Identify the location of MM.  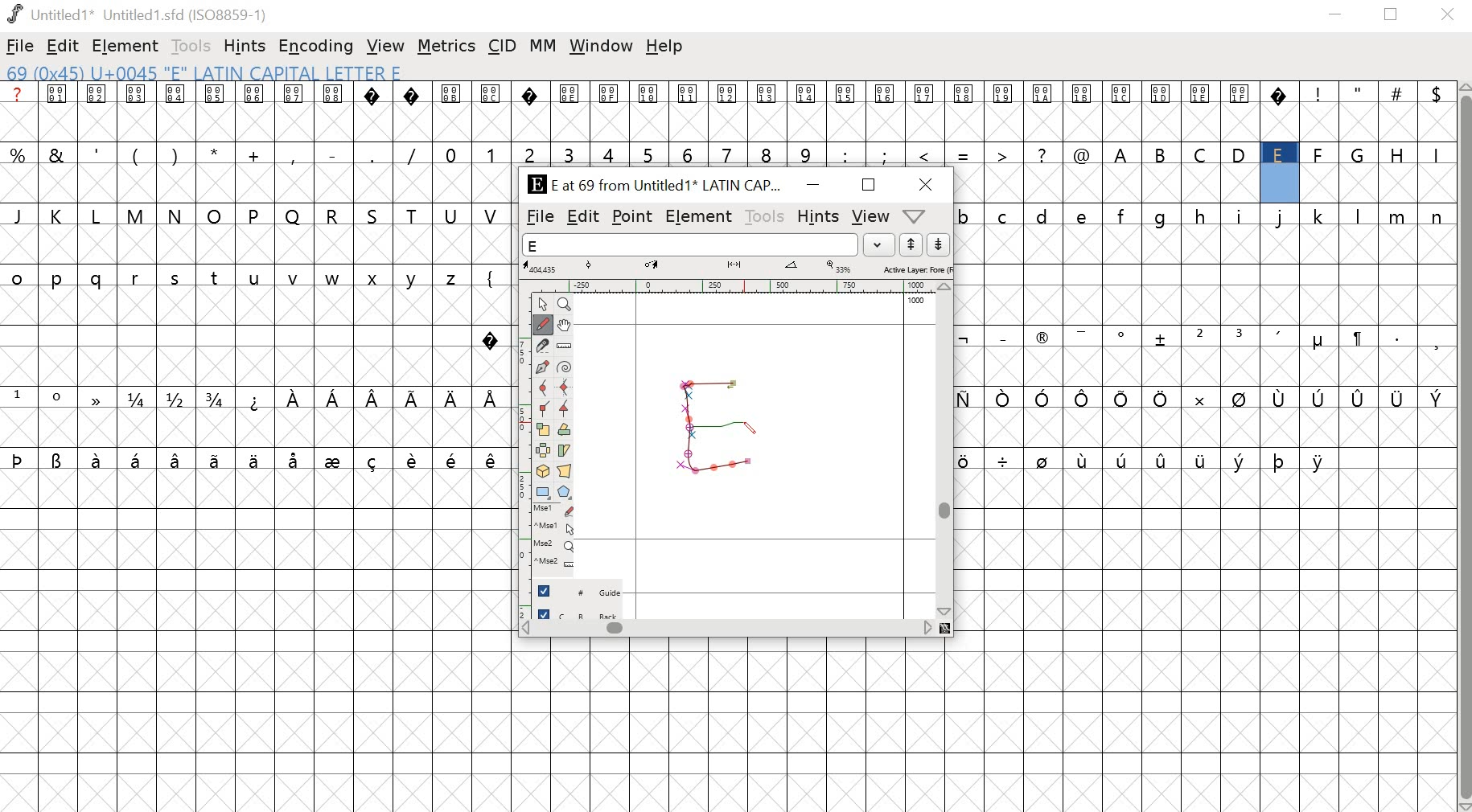
(543, 47).